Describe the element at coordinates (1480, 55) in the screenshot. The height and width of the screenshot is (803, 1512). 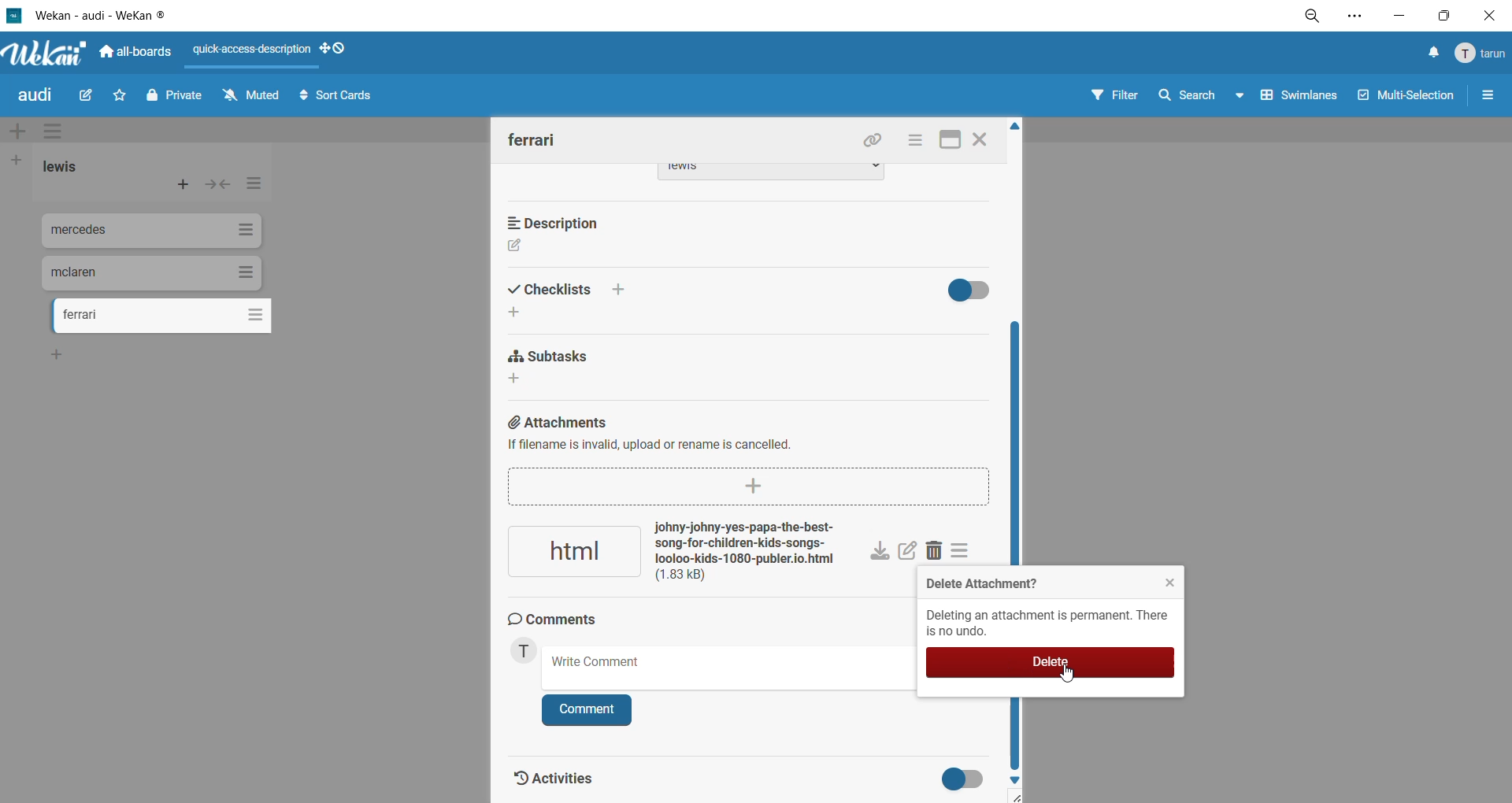
I see `menu` at that location.